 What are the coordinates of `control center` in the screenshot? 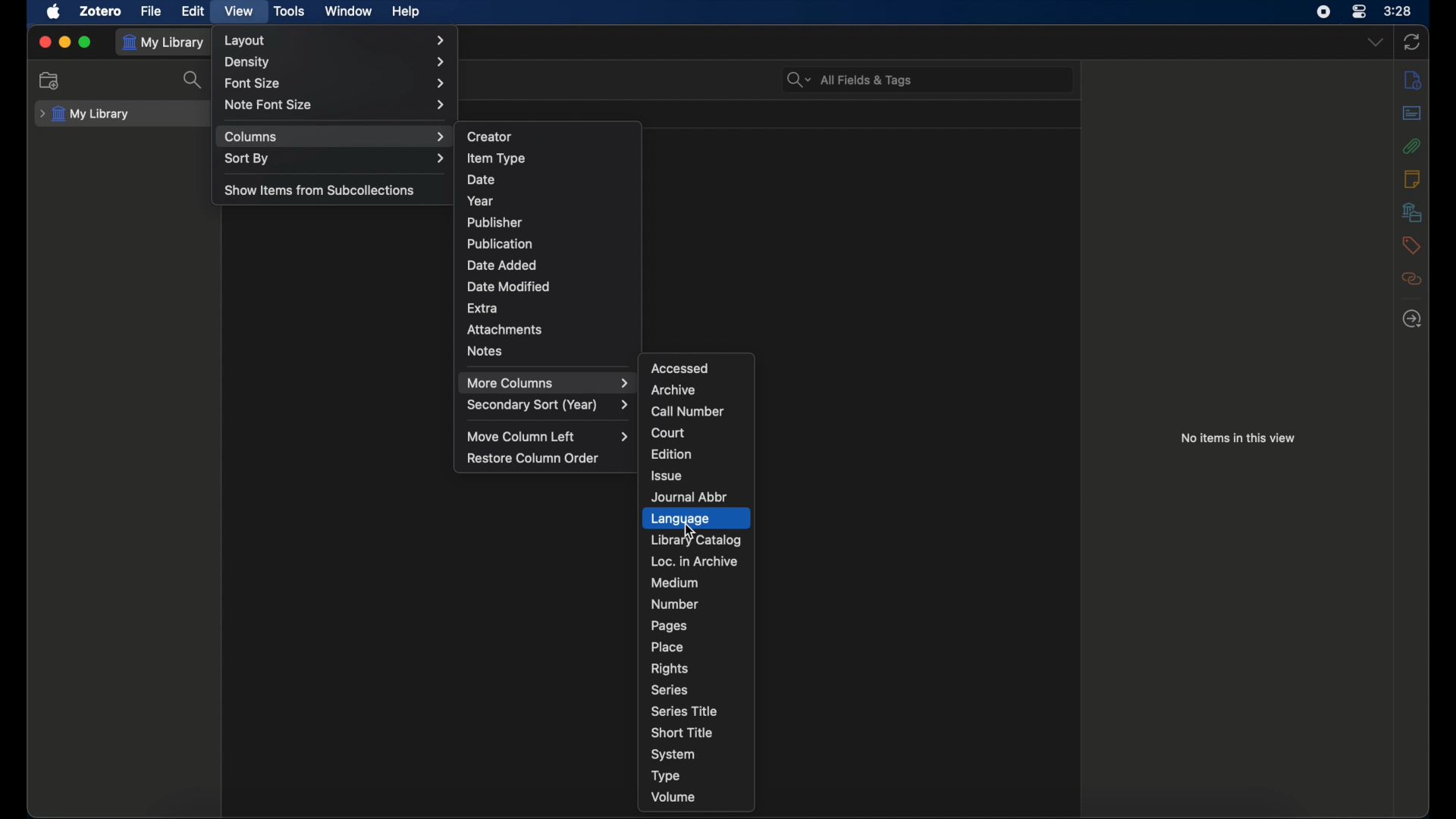 It's located at (1359, 11).